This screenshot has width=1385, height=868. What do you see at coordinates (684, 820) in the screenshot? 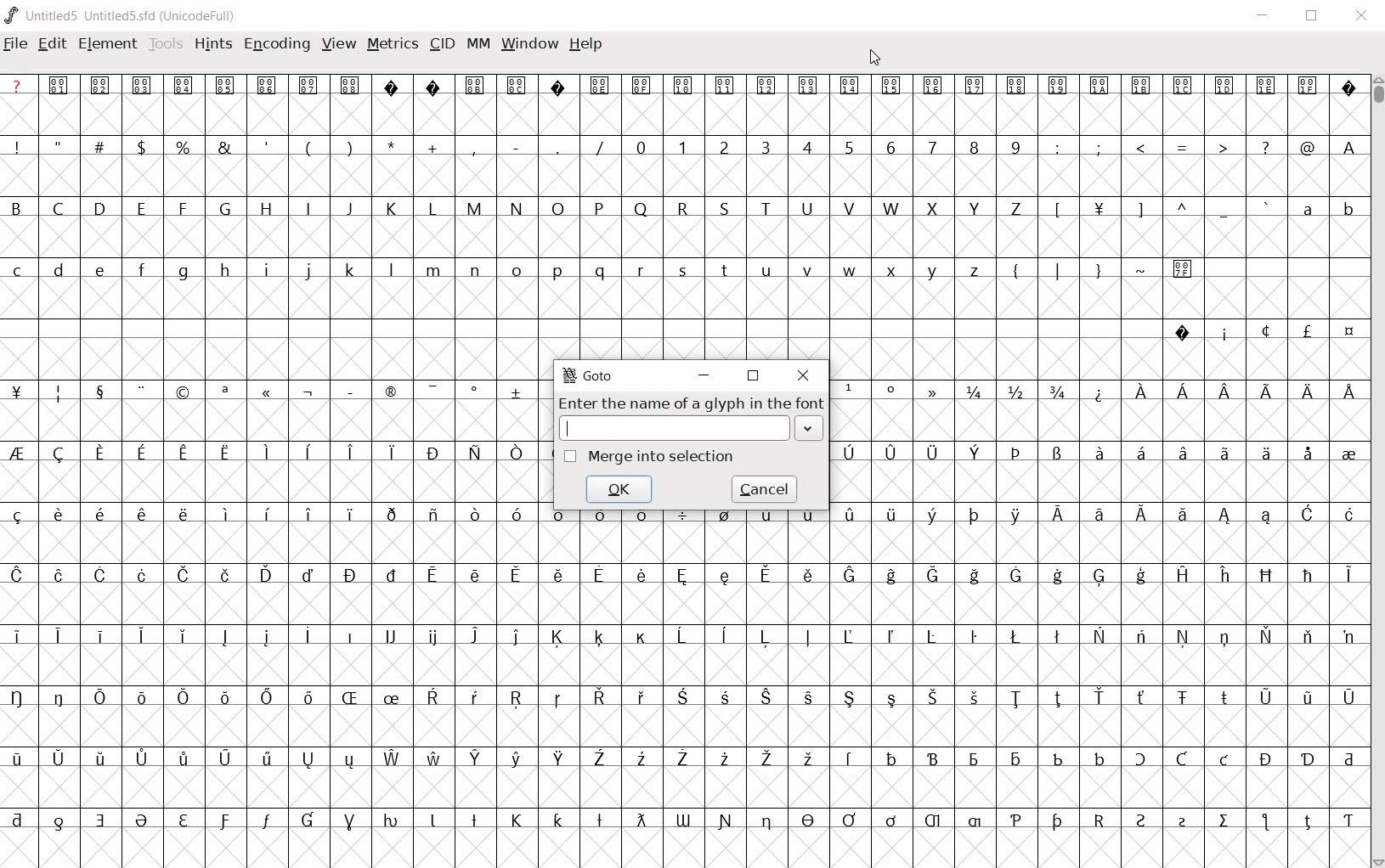
I see `Symbol` at bounding box center [684, 820].